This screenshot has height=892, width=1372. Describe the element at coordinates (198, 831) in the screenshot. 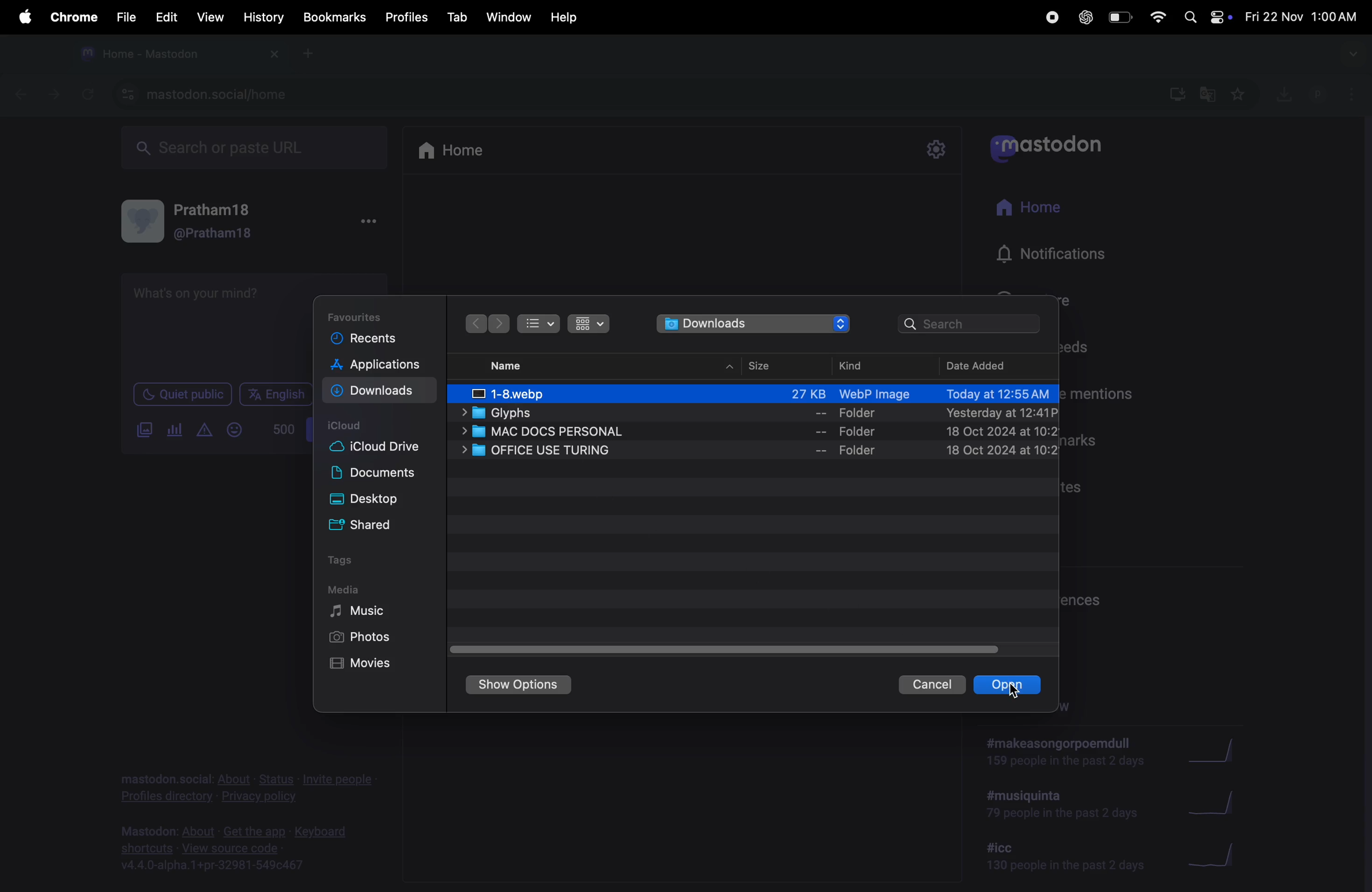

I see `about` at that location.